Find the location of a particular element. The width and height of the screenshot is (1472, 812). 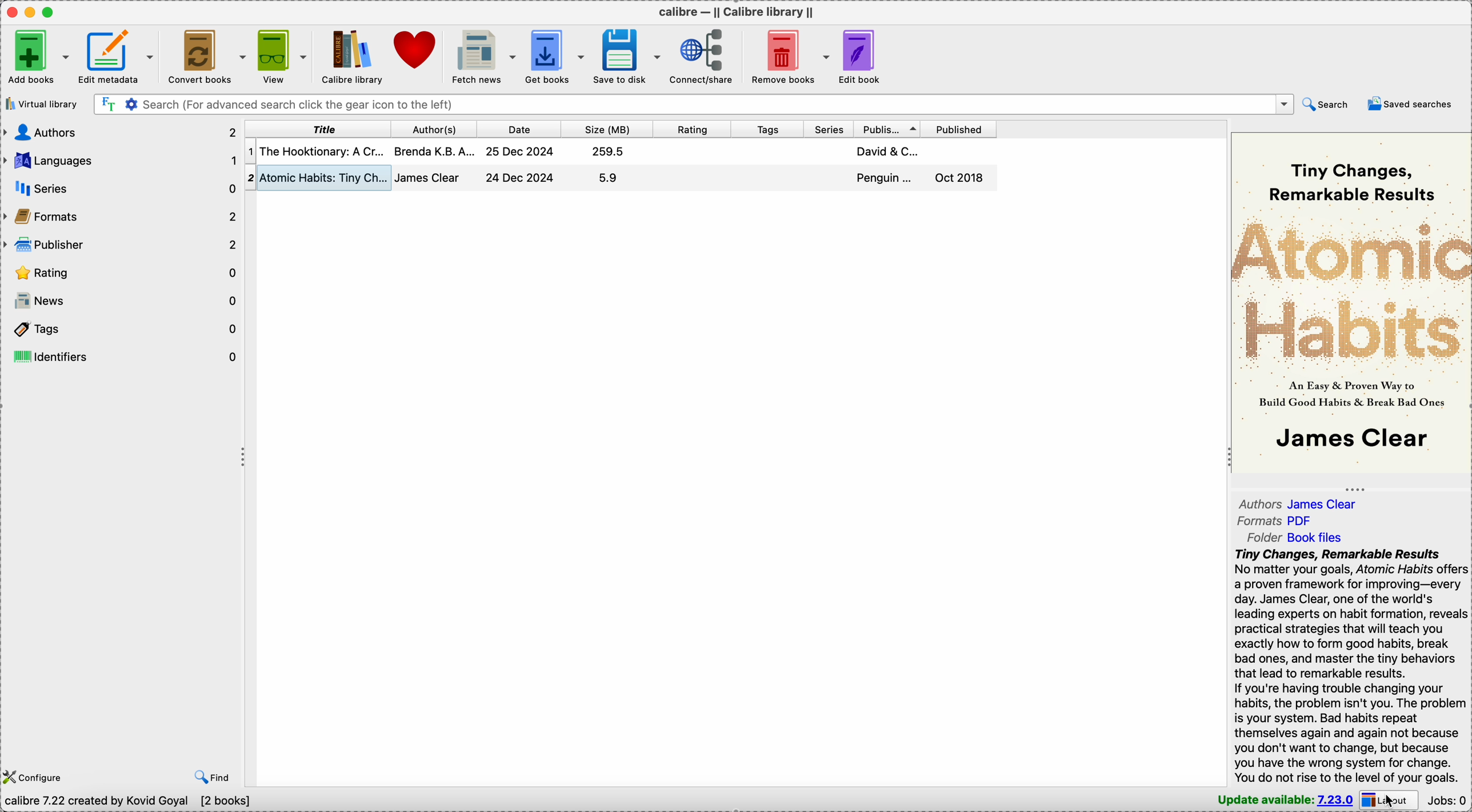

connect/share is located at coordinates (705, 55).